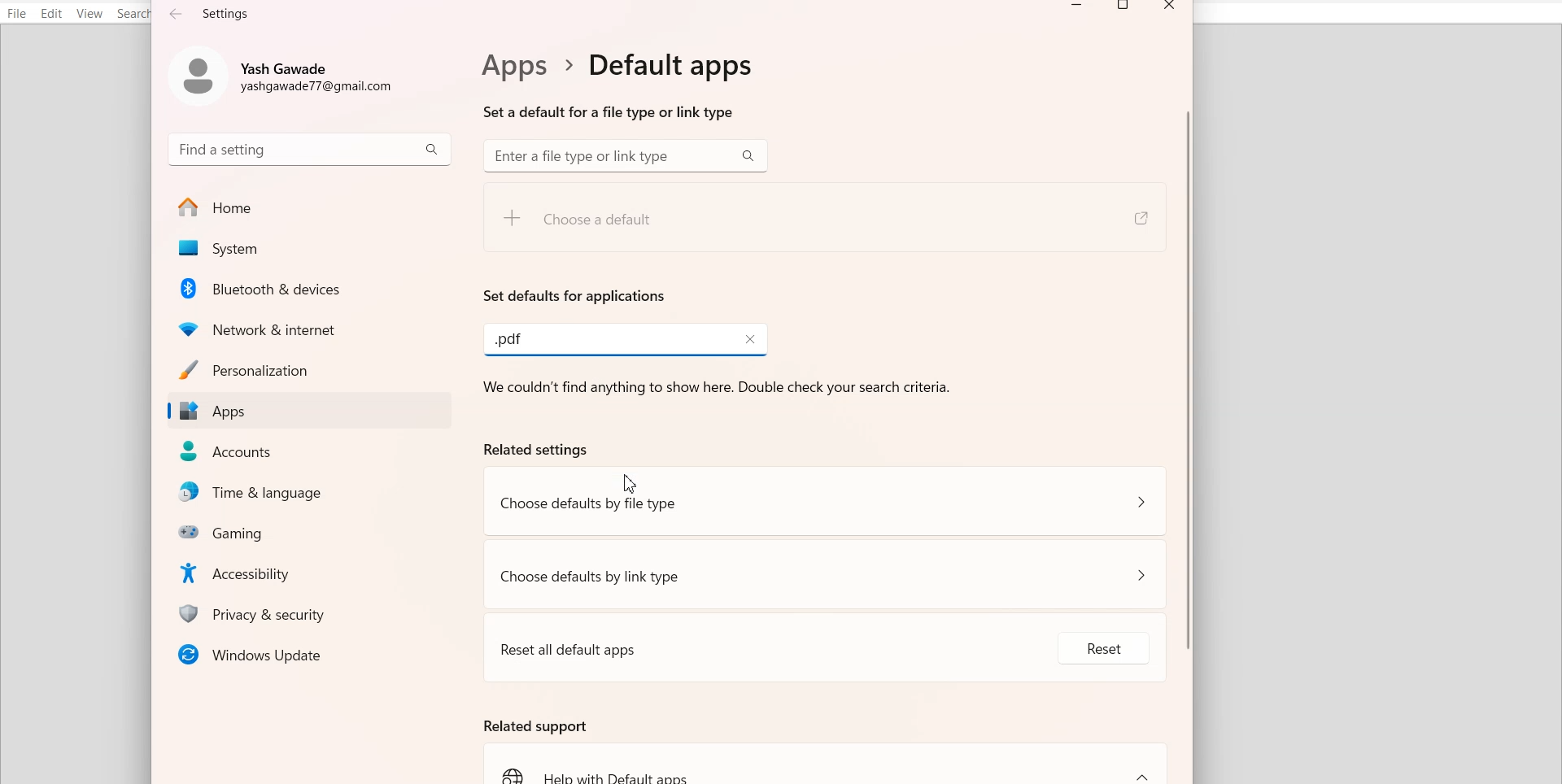  What do you see at coordinates (740, 644) in the screenshot?
I see `Reset all default apps` at bounding box center [740, 644].